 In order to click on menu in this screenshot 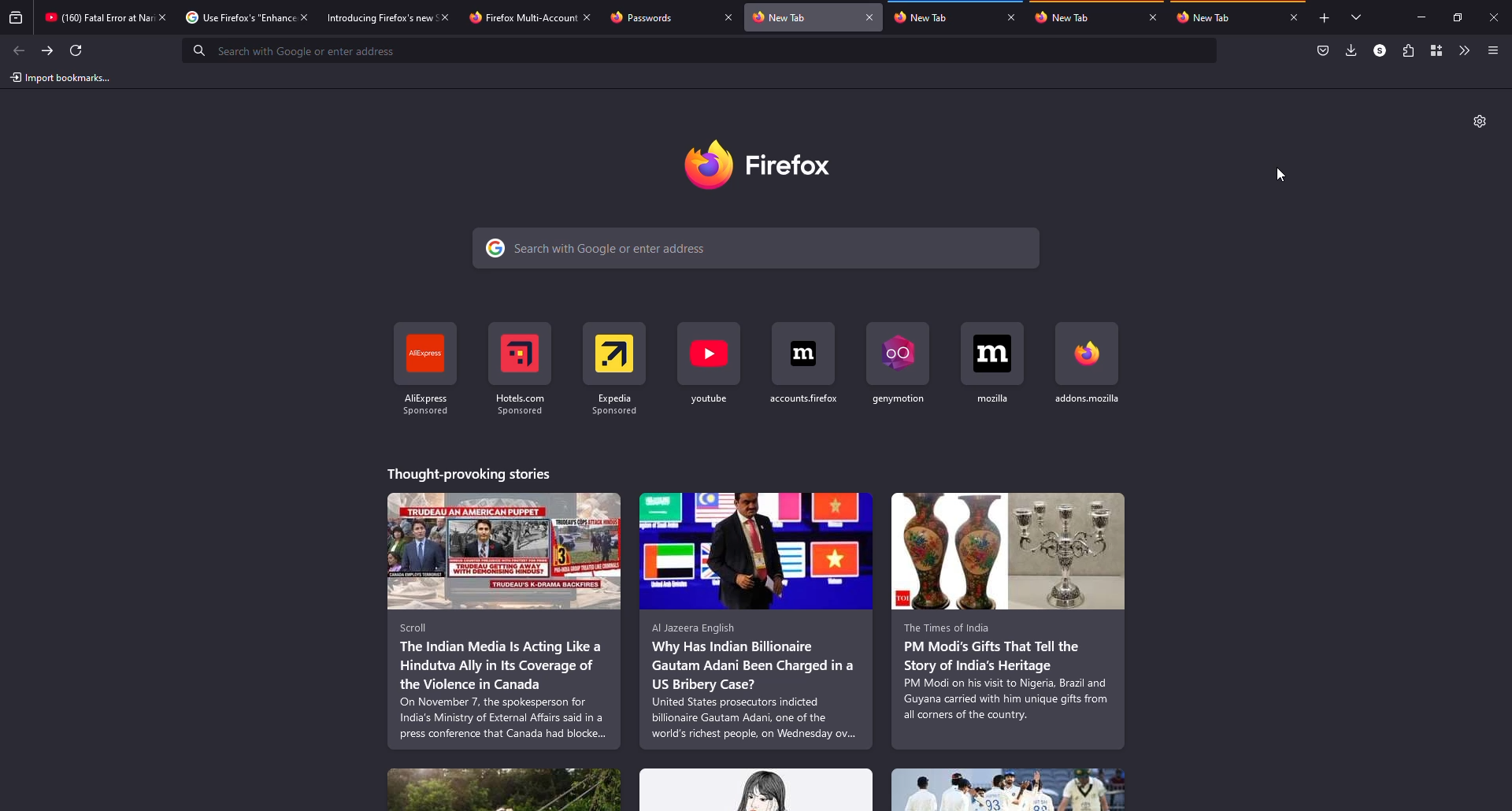, I will do `click(1492, 50)`.